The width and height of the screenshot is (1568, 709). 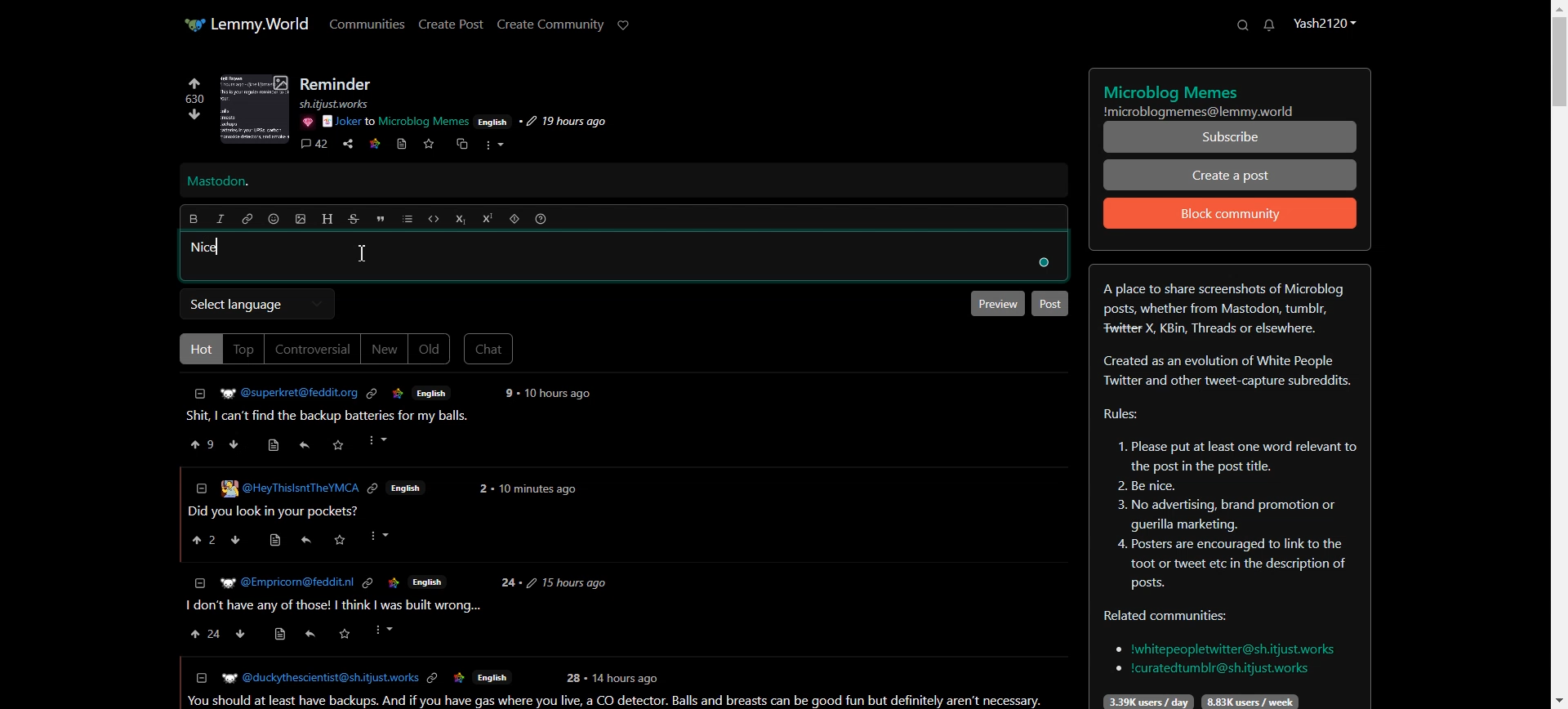 What do you see at coordinates (193, 219) in the screenshot?
I see `Bold` at bounding box center [193, 219].